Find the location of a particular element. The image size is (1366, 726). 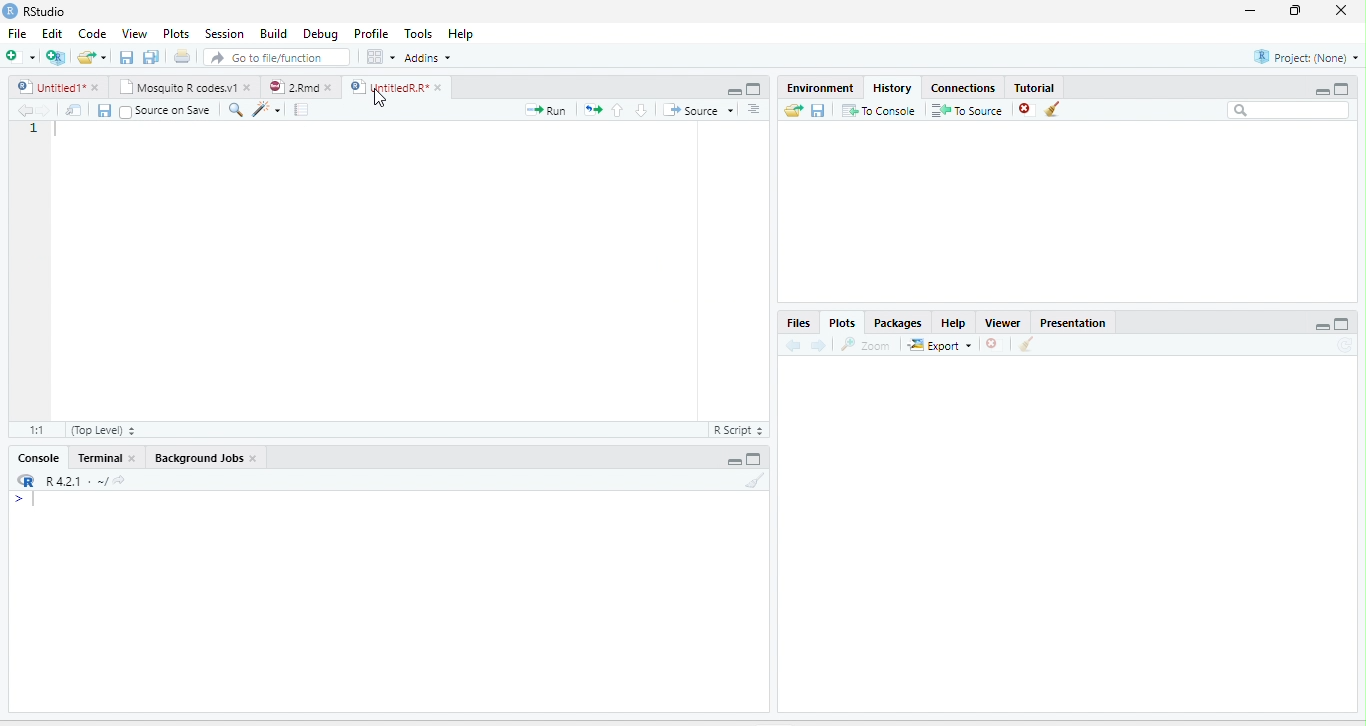

New line is located at coordinates (25, 500).